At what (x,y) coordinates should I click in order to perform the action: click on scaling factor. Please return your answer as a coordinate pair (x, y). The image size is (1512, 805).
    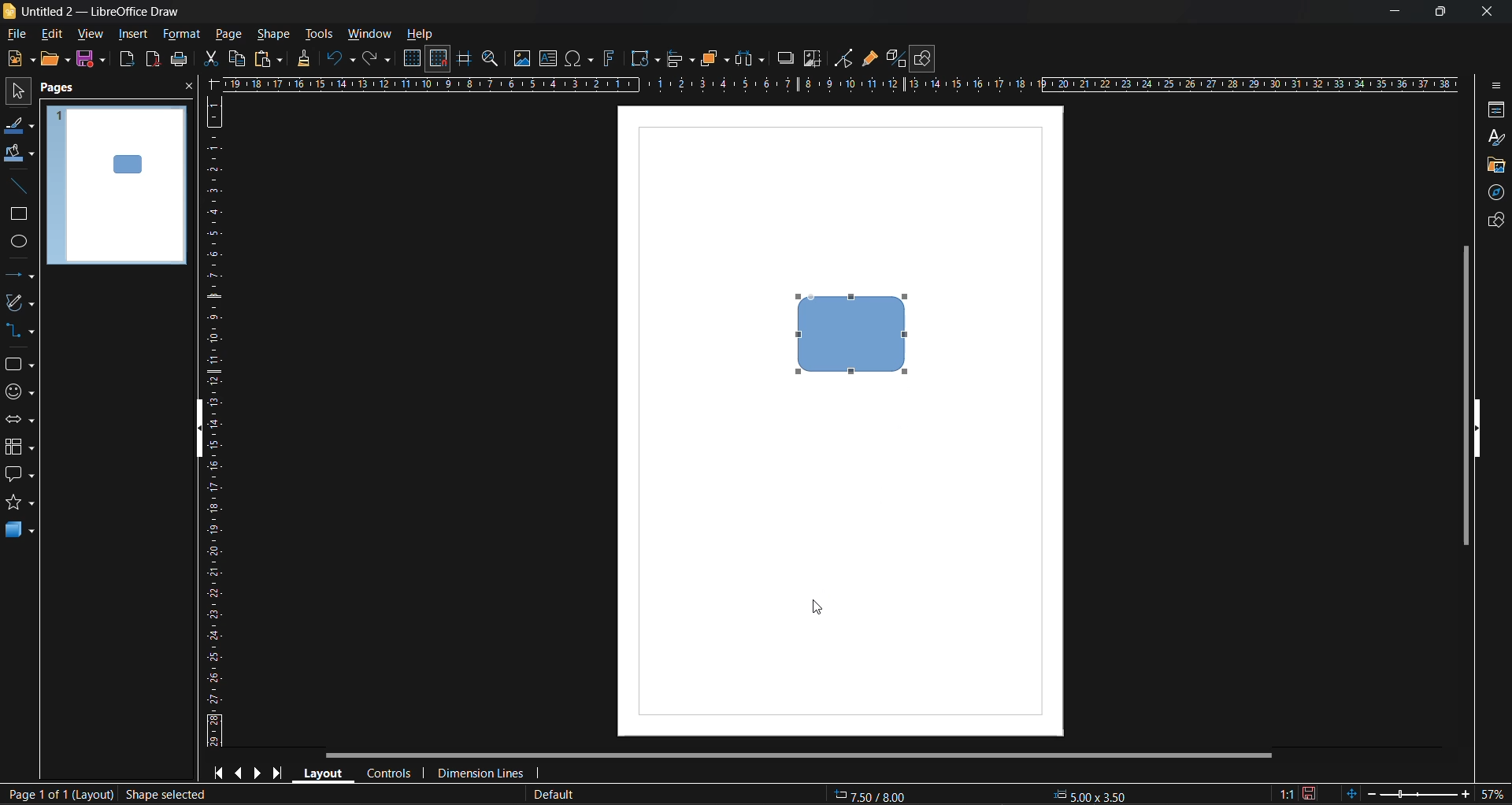
    Looking at the image, I should click on (1288, 795).